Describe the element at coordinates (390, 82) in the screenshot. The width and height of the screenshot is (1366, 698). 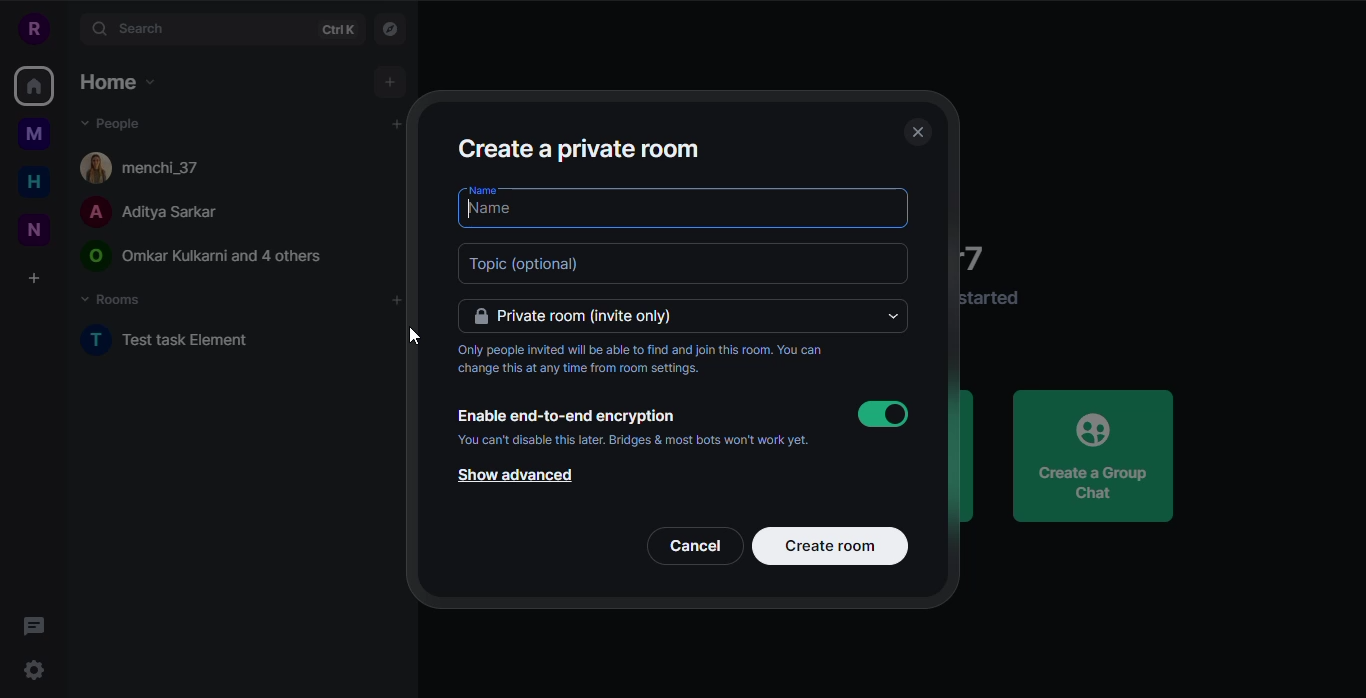
I see `add` at that location.